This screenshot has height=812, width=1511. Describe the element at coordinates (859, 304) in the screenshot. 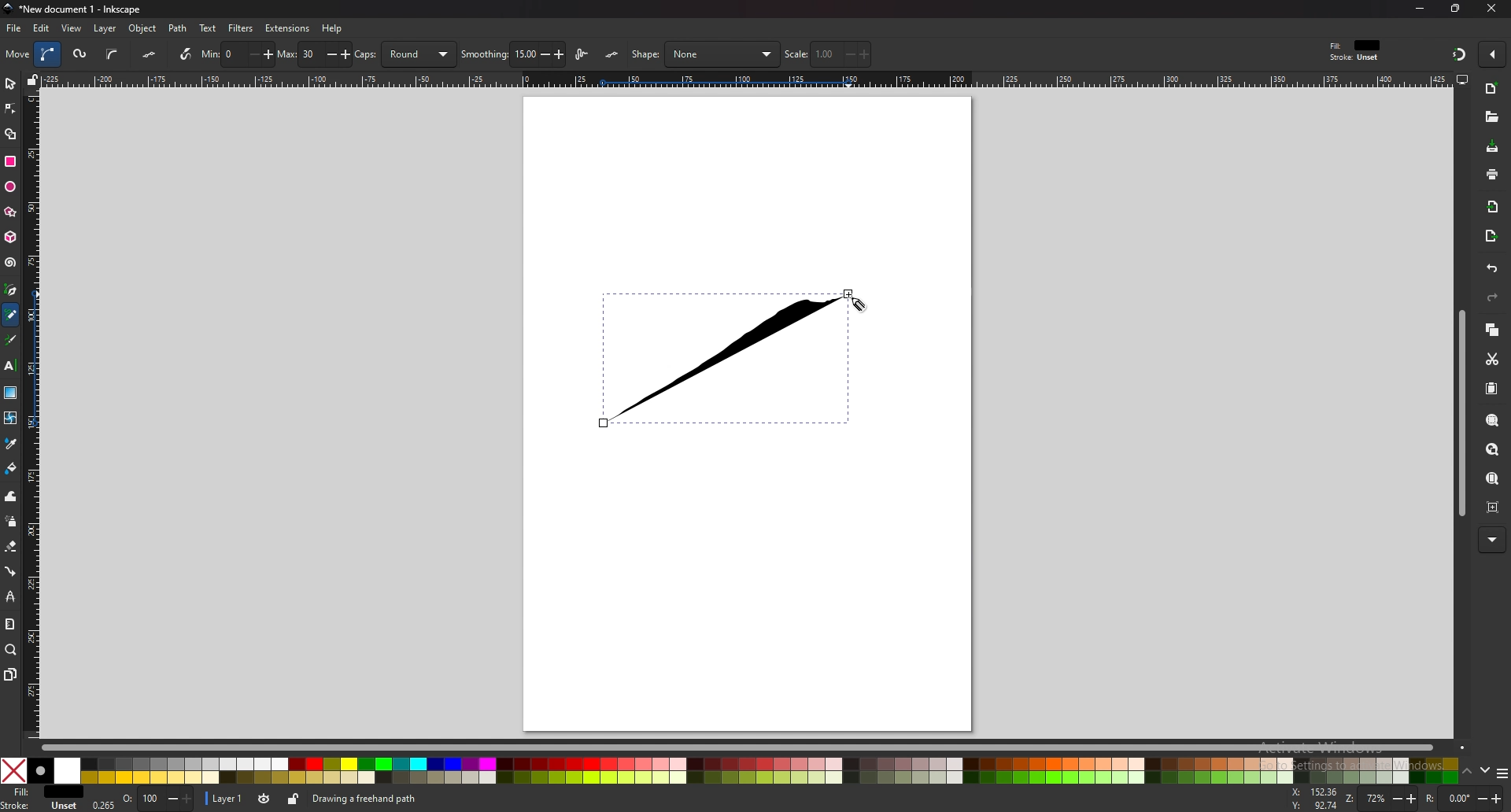

I see `cursor` at that location.